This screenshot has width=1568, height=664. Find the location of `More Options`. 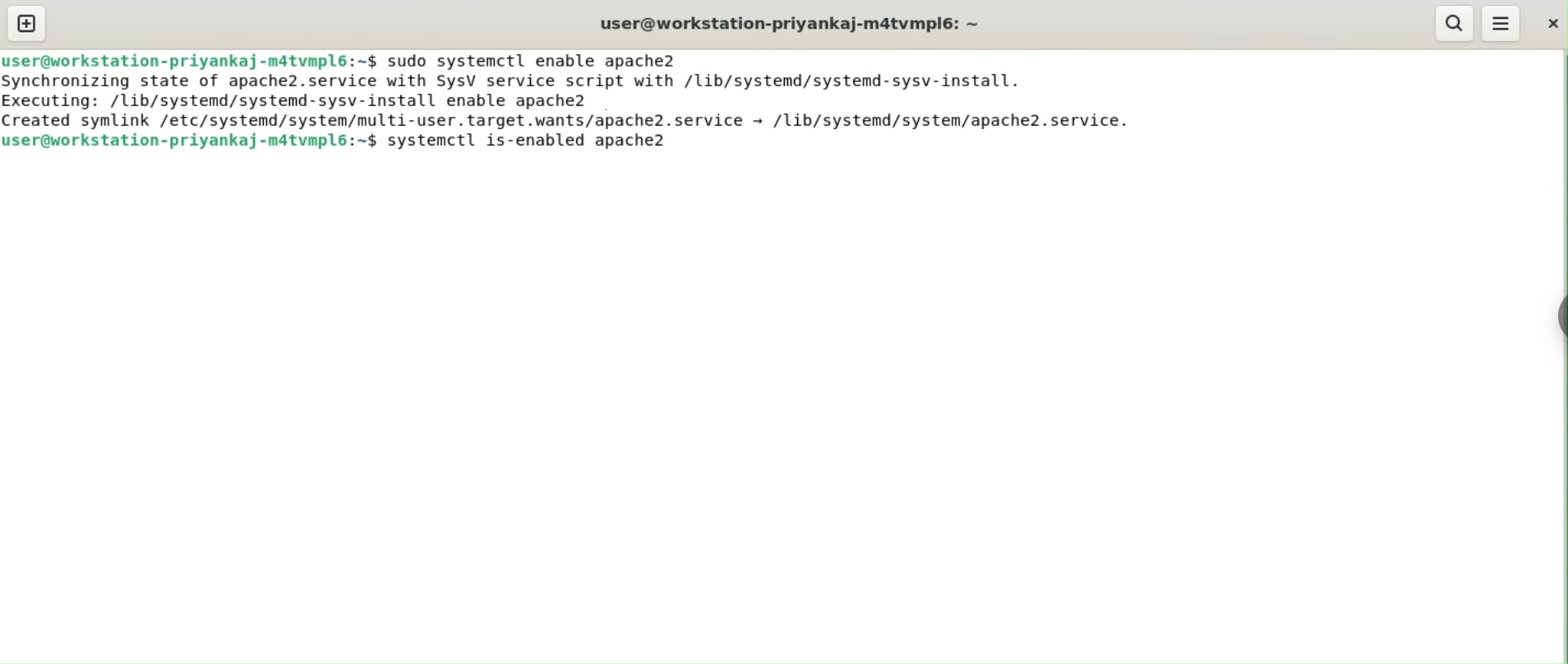

More Options is located at coordinates (1501, 21).